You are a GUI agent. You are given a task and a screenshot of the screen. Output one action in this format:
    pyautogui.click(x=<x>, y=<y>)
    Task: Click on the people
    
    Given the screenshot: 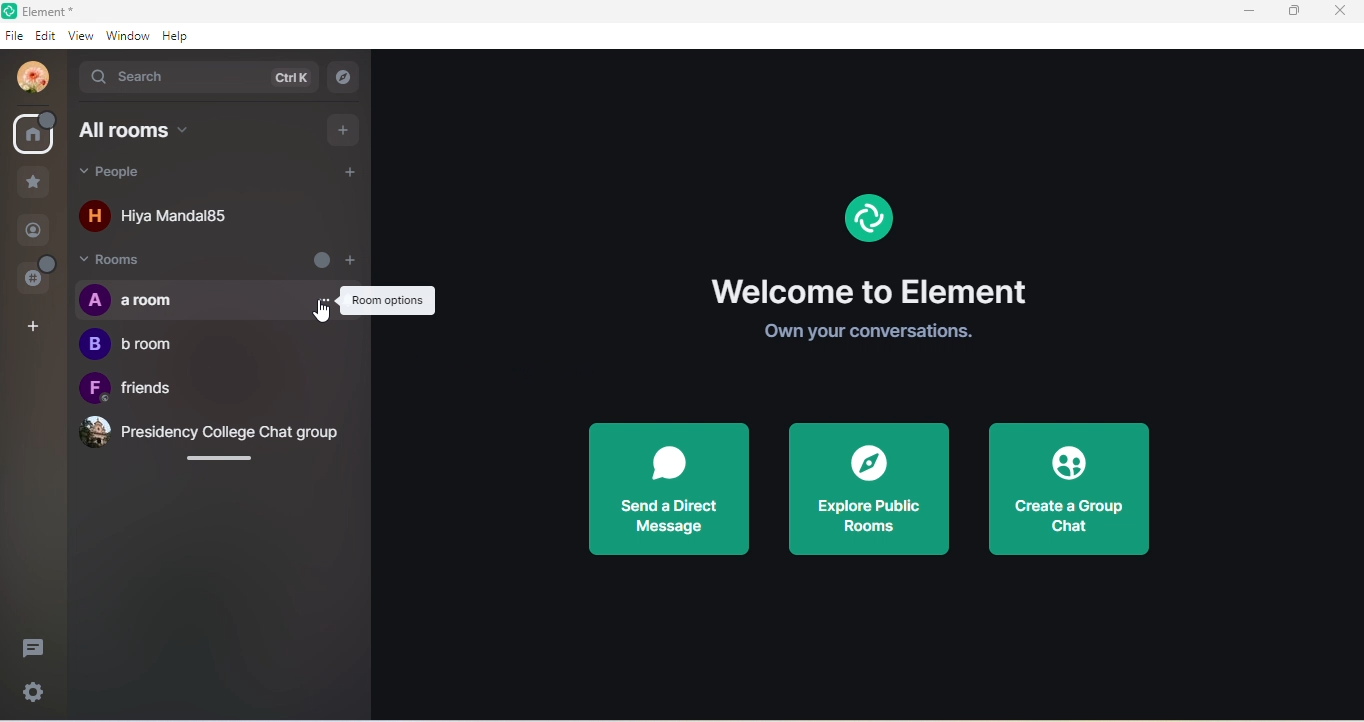 What is the action you would take?
    pyautogui.click(x=156, y=174)
    